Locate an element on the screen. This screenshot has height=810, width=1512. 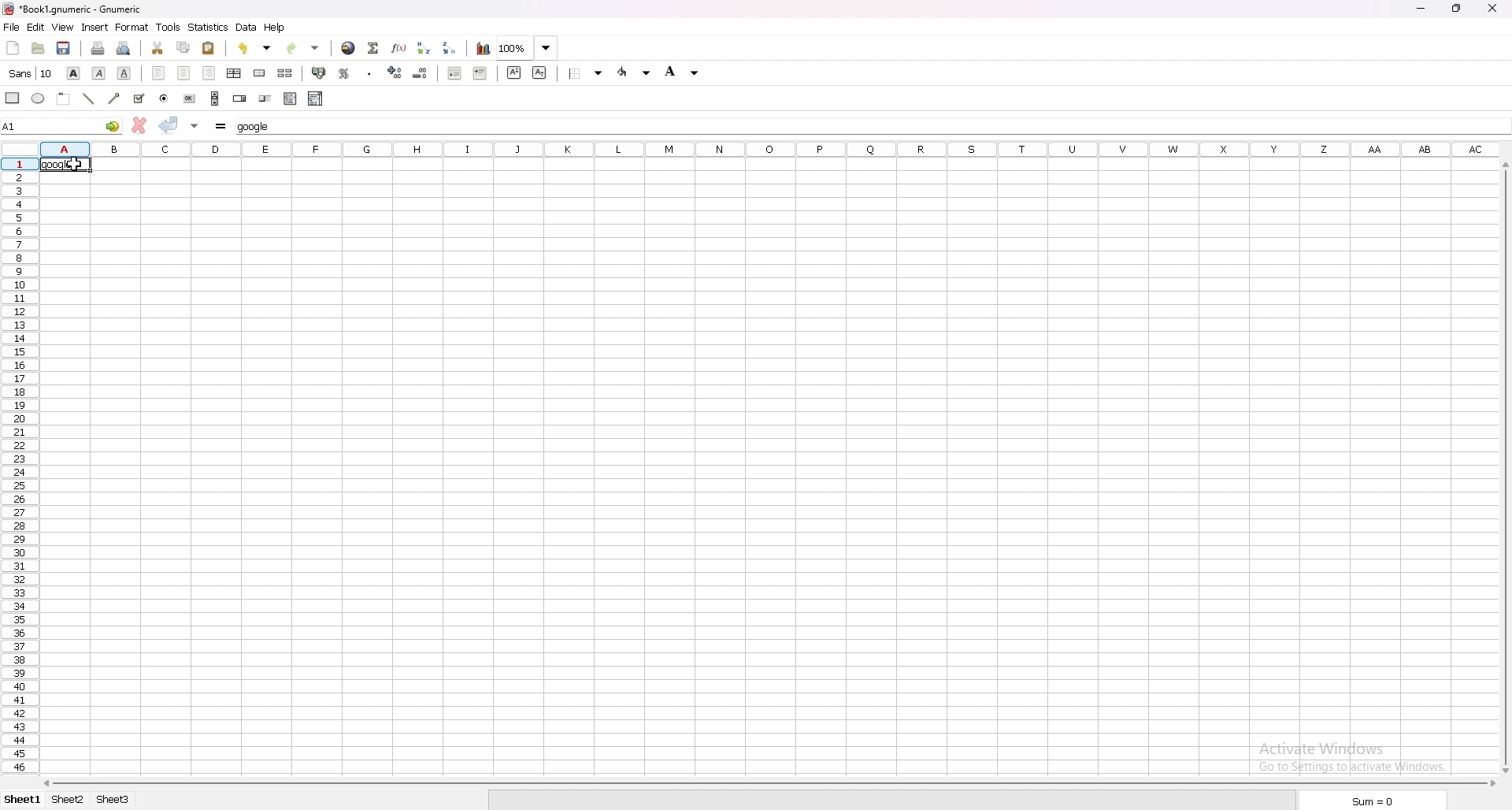
zoom is located at coordinates (528, 47).